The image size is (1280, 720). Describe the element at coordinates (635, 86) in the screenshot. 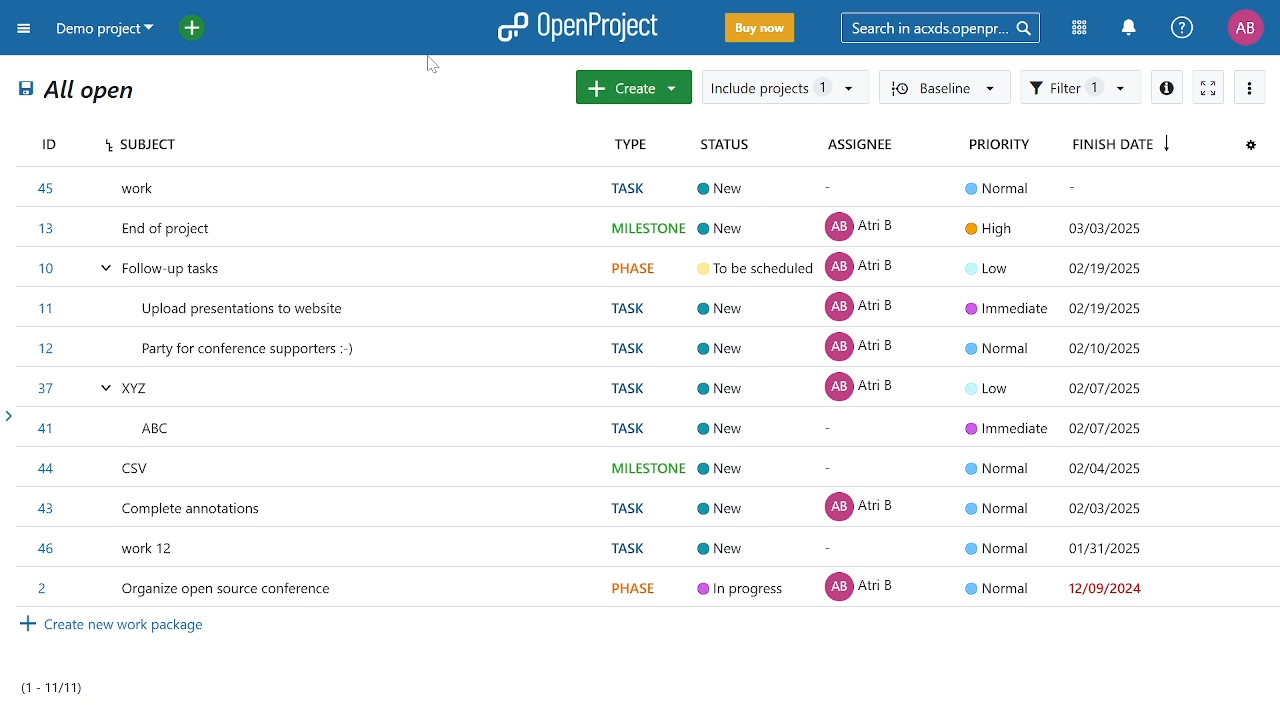

I see `create` at that location.